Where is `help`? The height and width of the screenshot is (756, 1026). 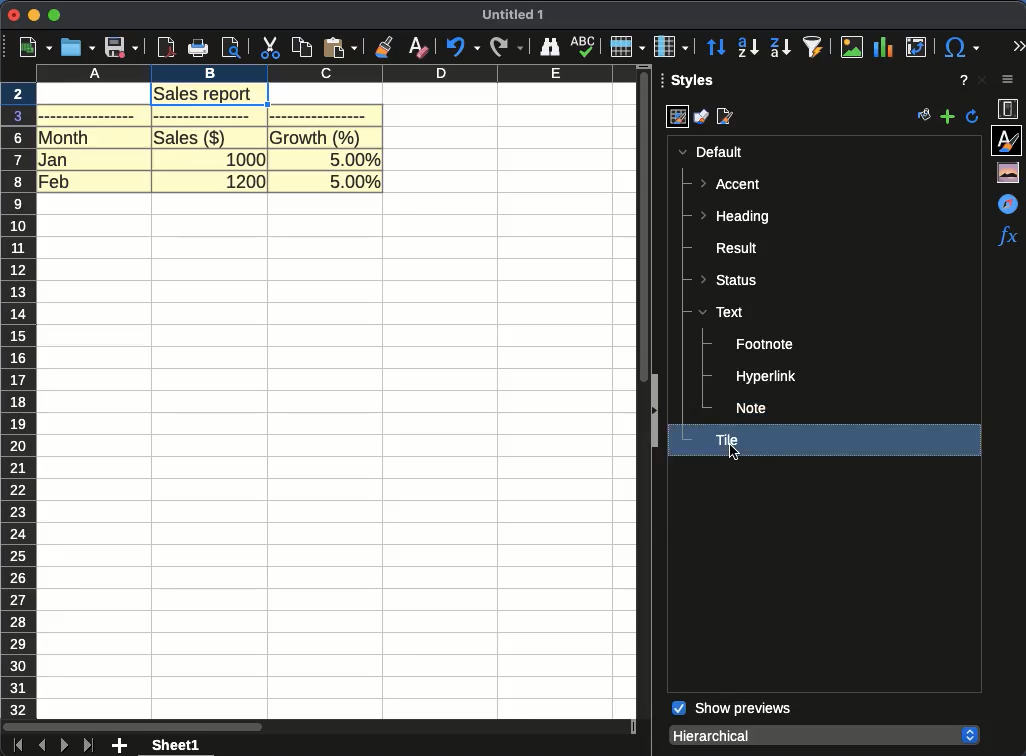 help is located at coordinates (964, 80).